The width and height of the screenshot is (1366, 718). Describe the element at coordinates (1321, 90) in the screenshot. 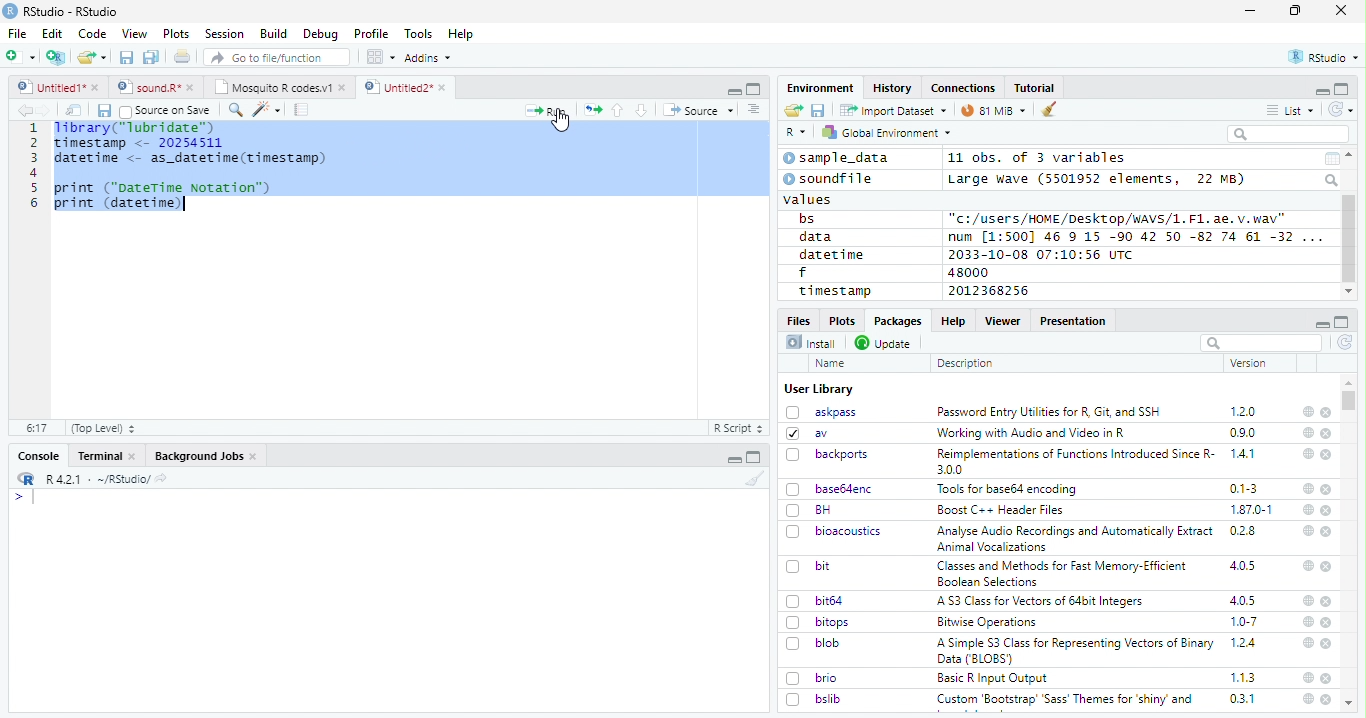

I see `minimize` at that location.